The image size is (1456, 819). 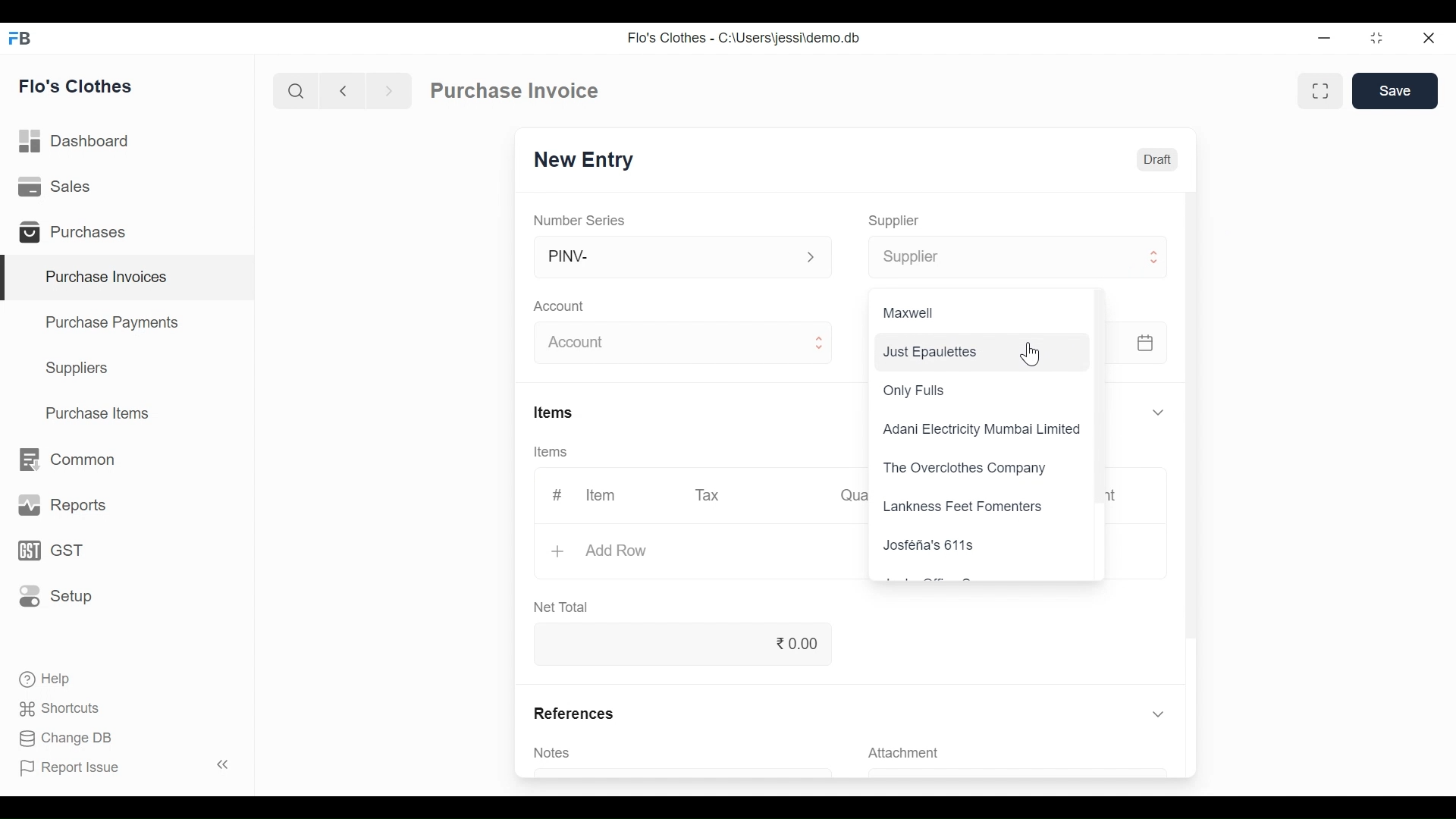 I want to click on Help, so click(x=50, y=679).